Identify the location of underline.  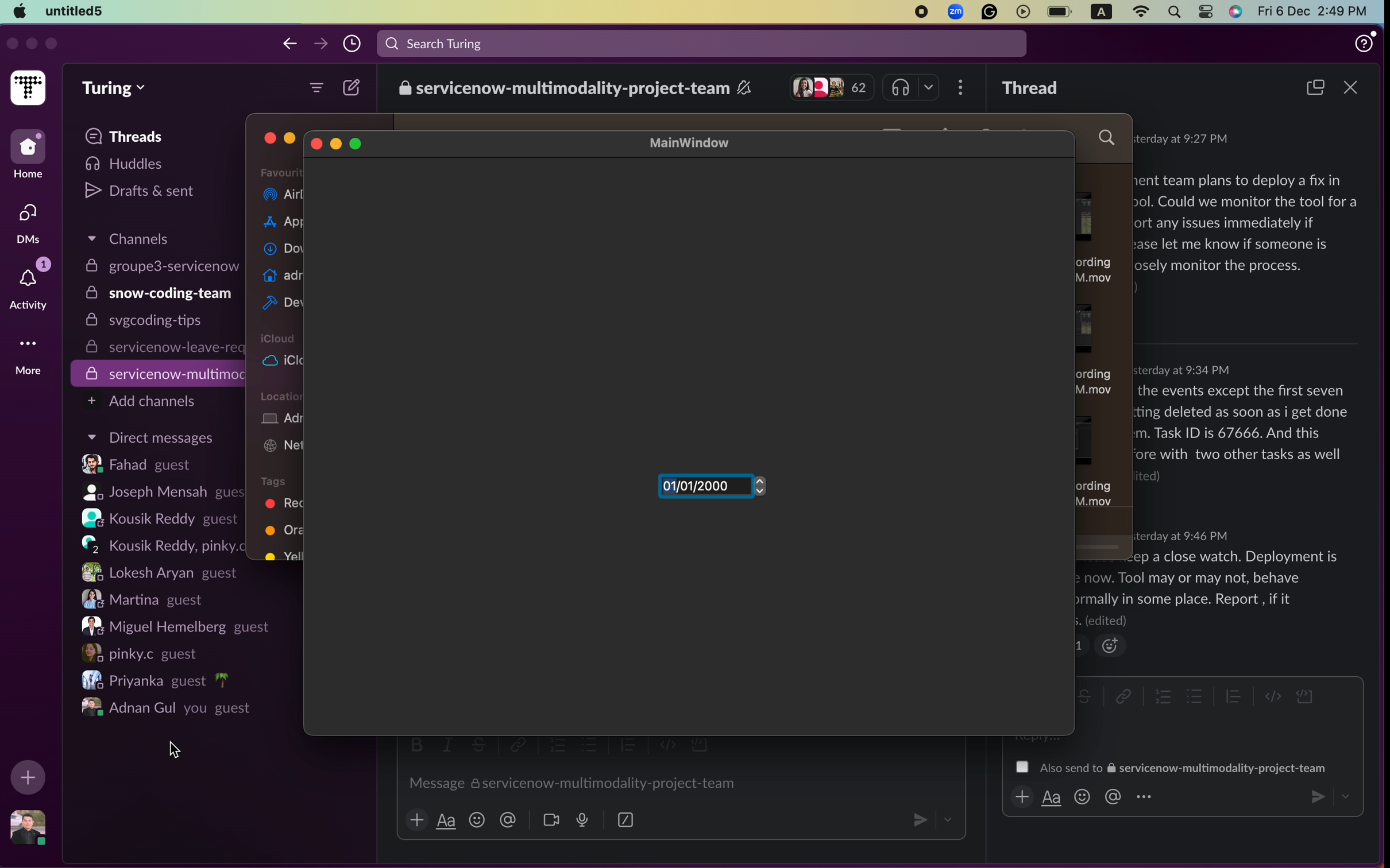
(446, 820).